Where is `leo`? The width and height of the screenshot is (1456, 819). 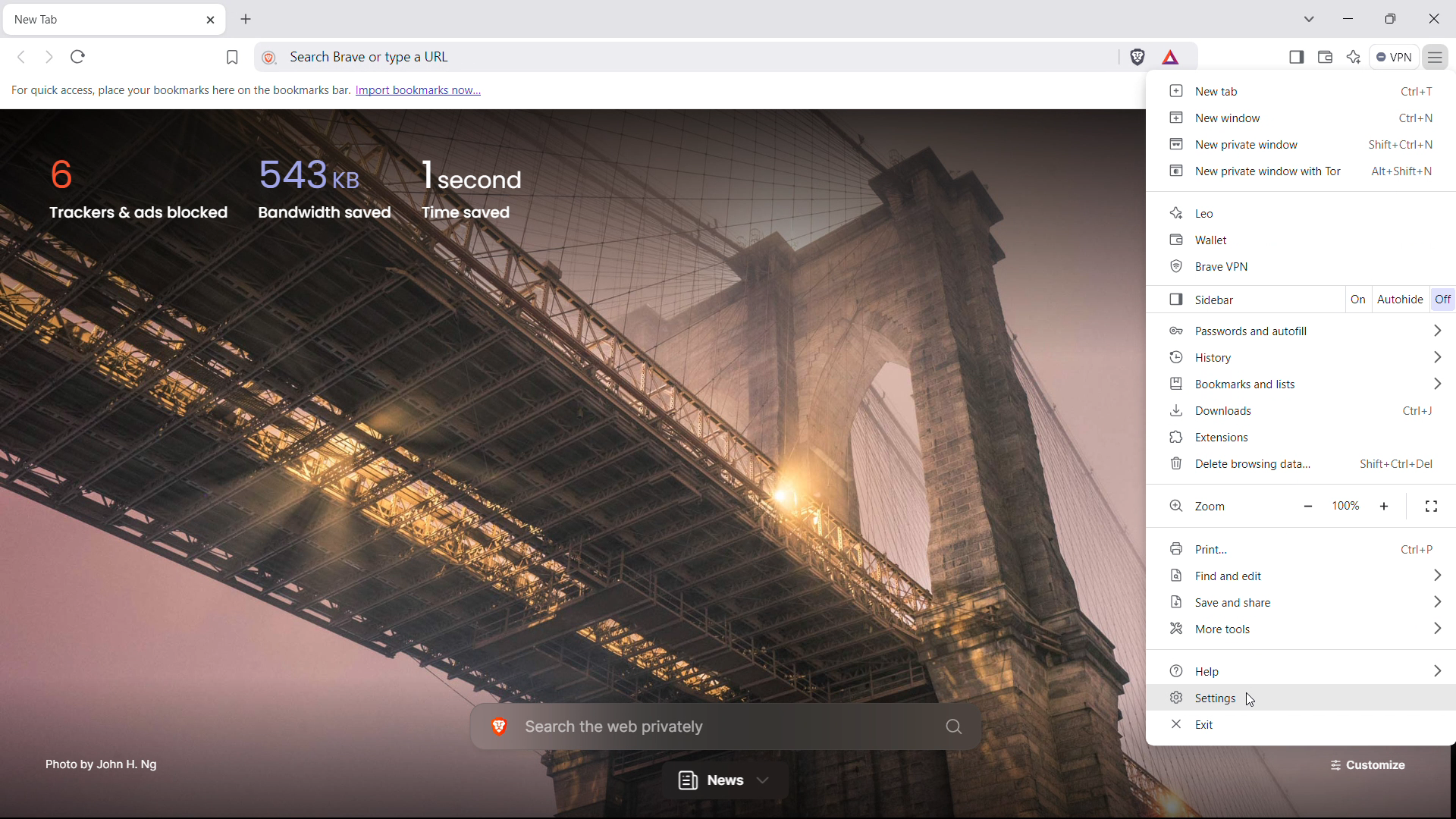 leo is located at coordinates (1301, 211).